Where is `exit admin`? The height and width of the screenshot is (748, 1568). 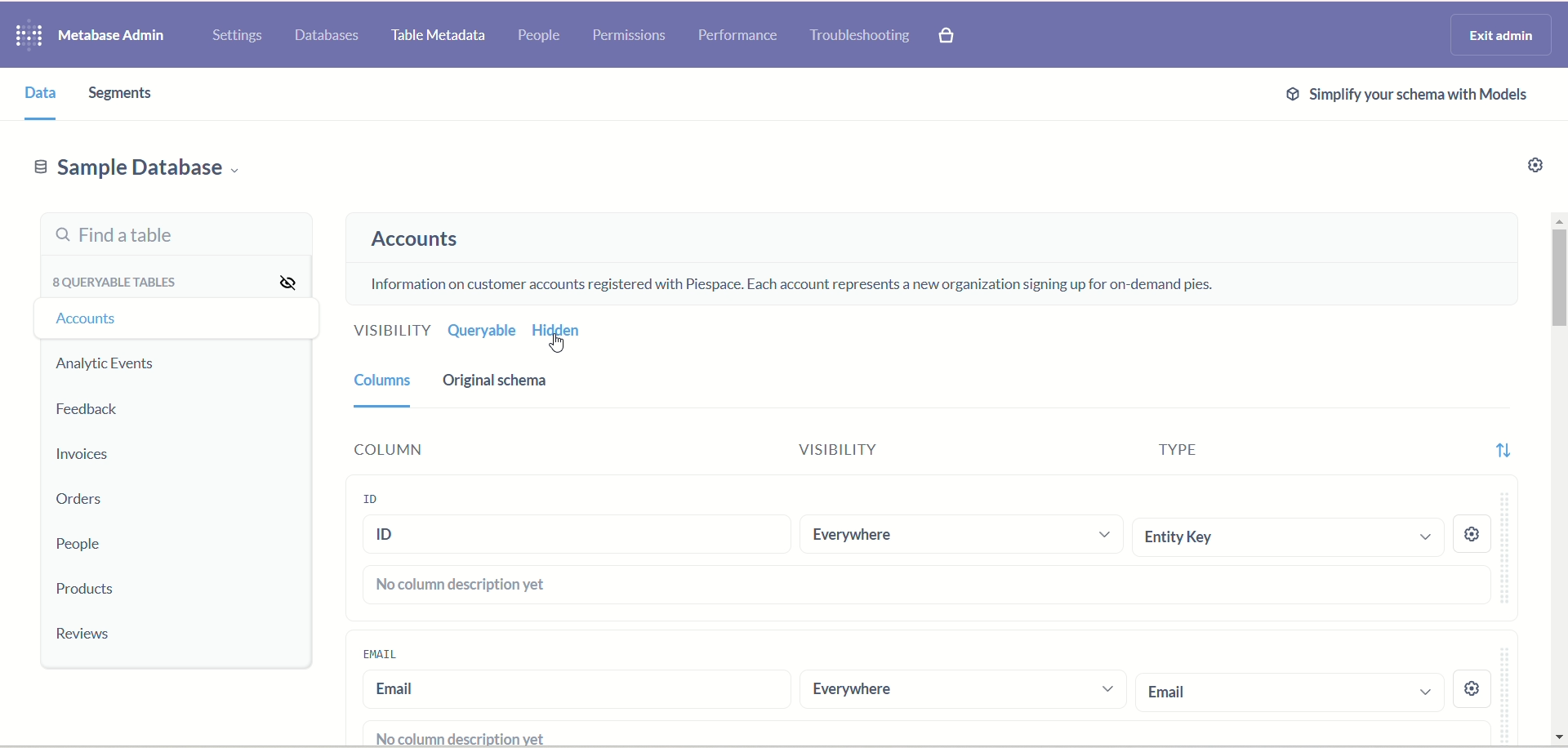 exit admin is located at coordinates (1501, 33).